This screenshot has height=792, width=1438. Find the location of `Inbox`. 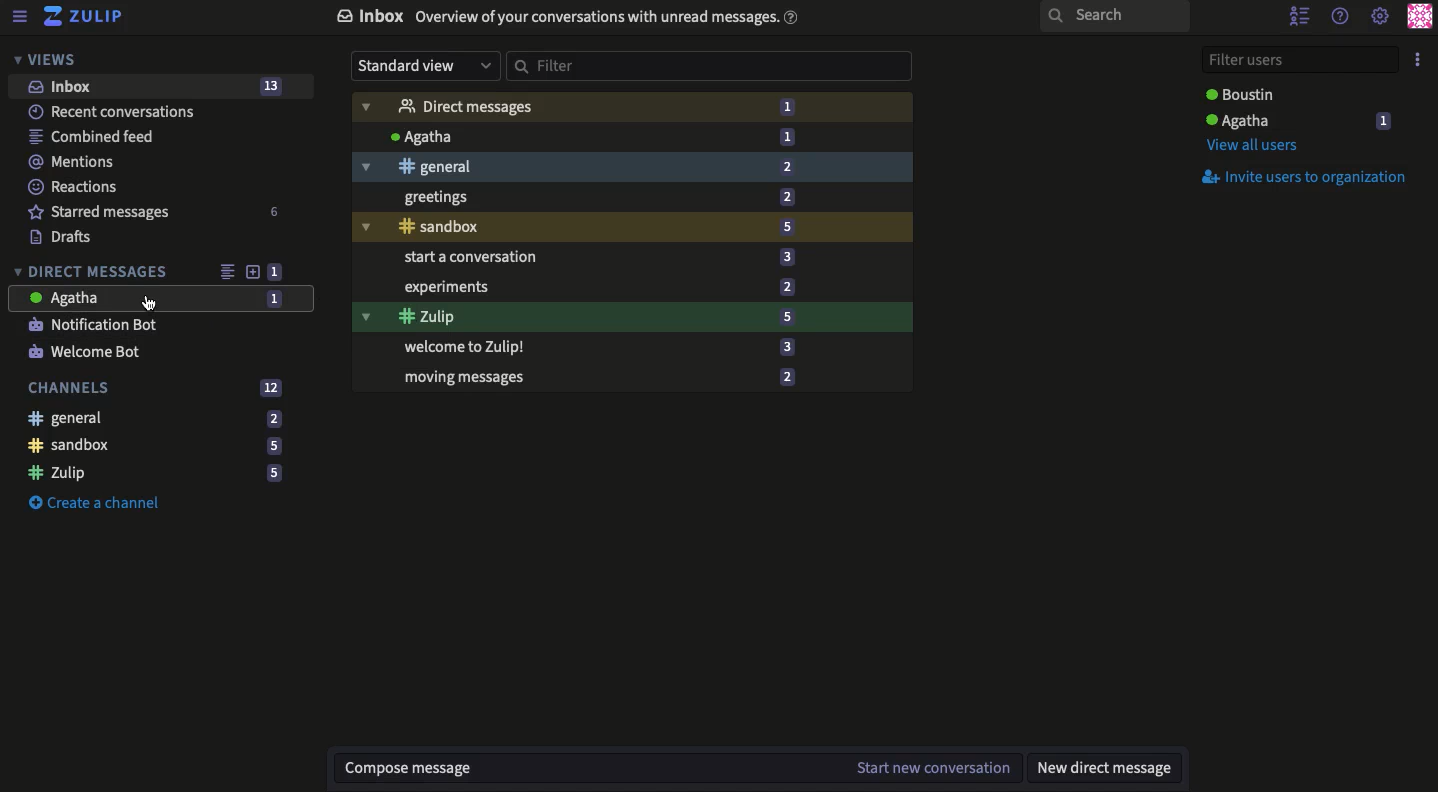

Inbox is located at coordinates (567, 18).